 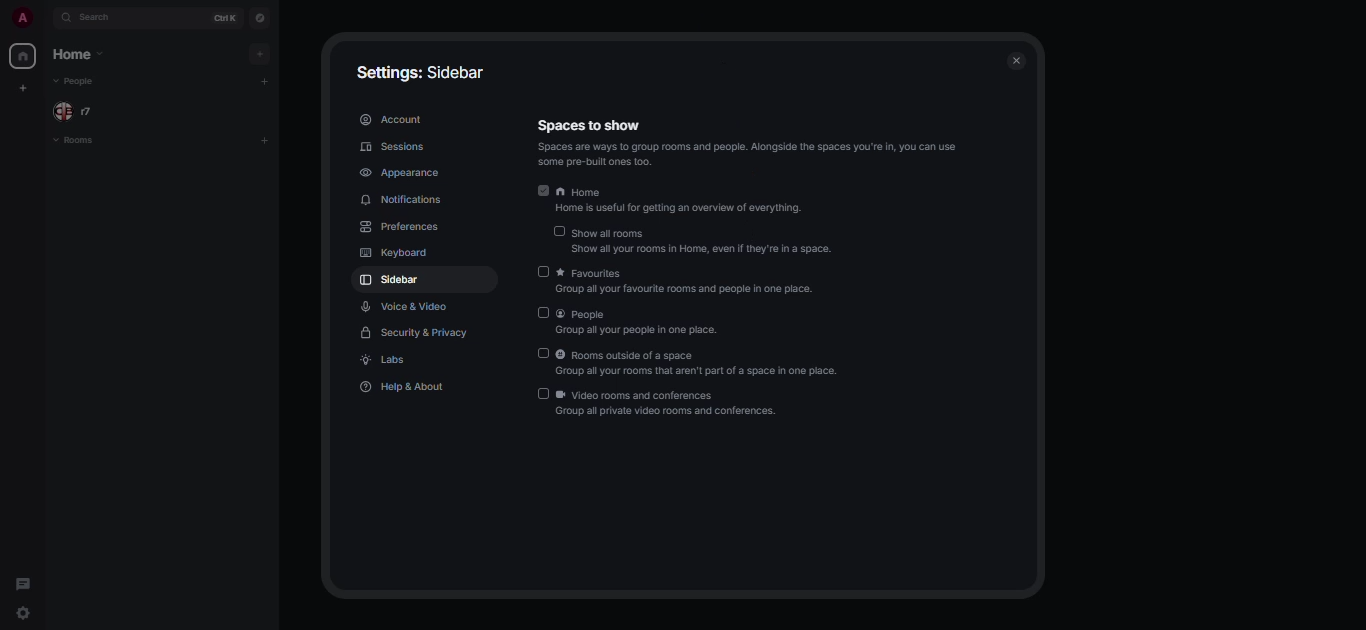 I want to click on account, so click(x=391, y=120).